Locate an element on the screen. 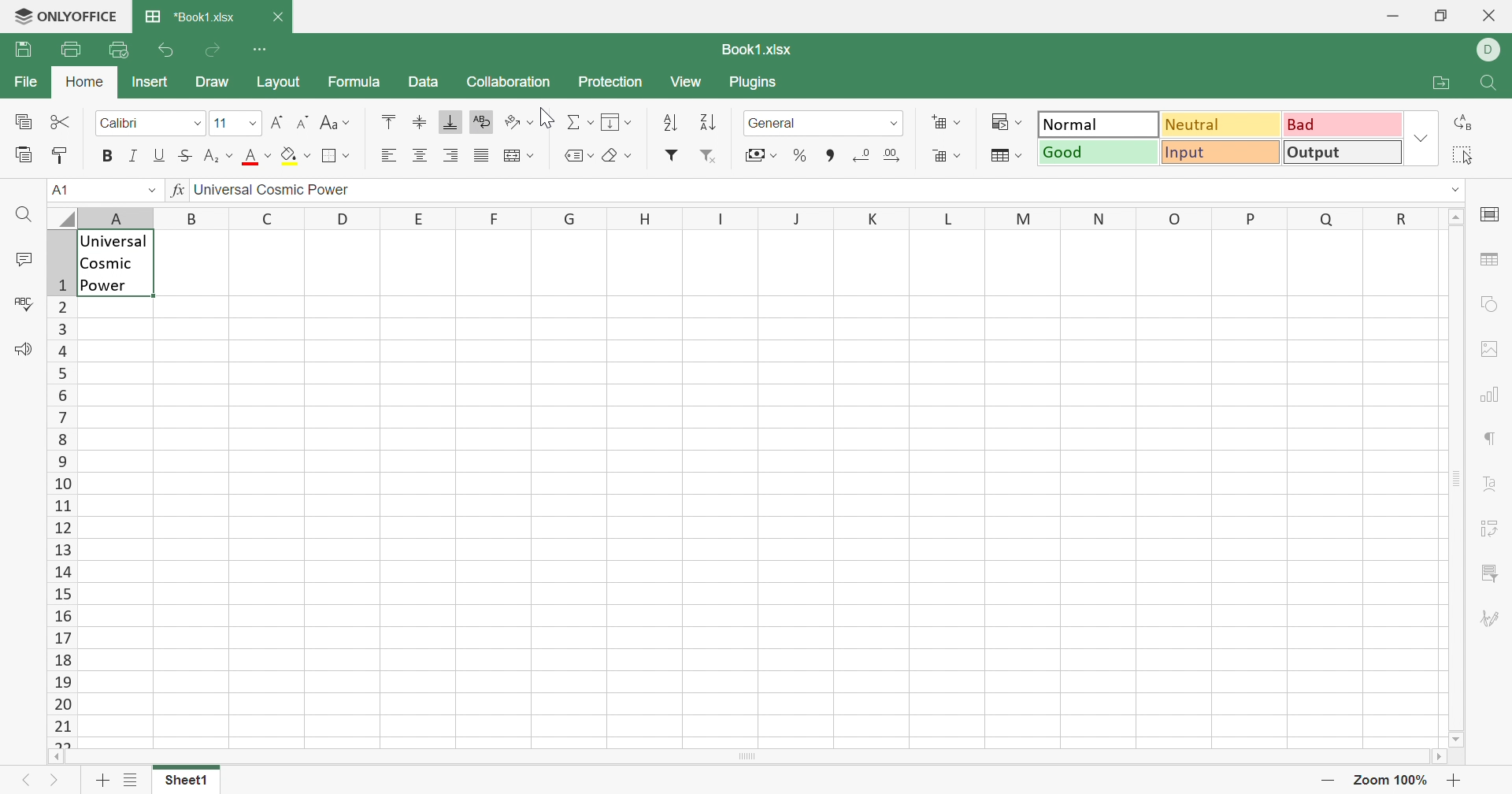 The height and width of the screenshot is (794, 1512). Check Spelling is located at coordinates (23, 302).